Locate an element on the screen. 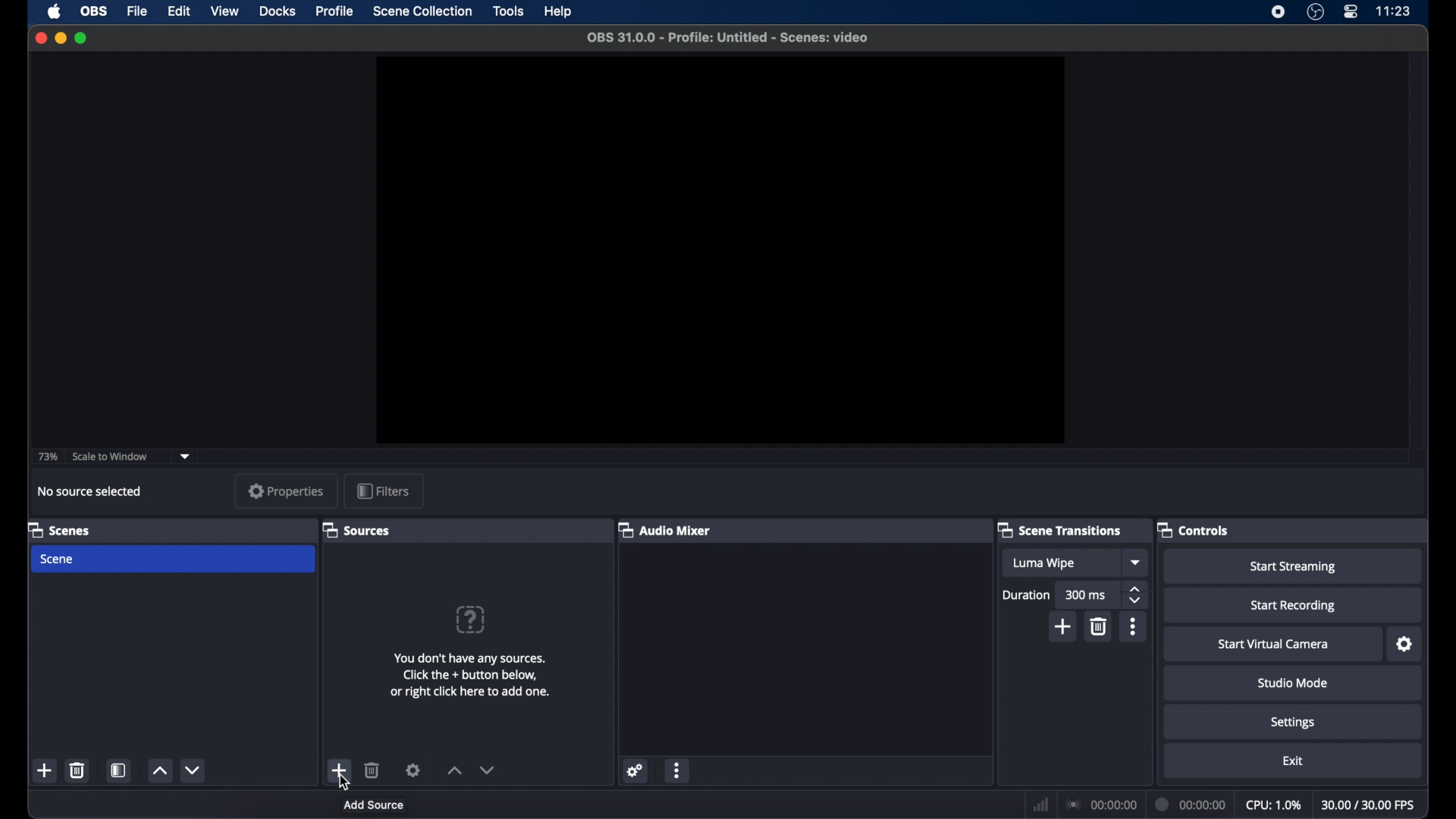 The width and height of the screenshot is (1456, 819). help is located at coordinates (560, 12).